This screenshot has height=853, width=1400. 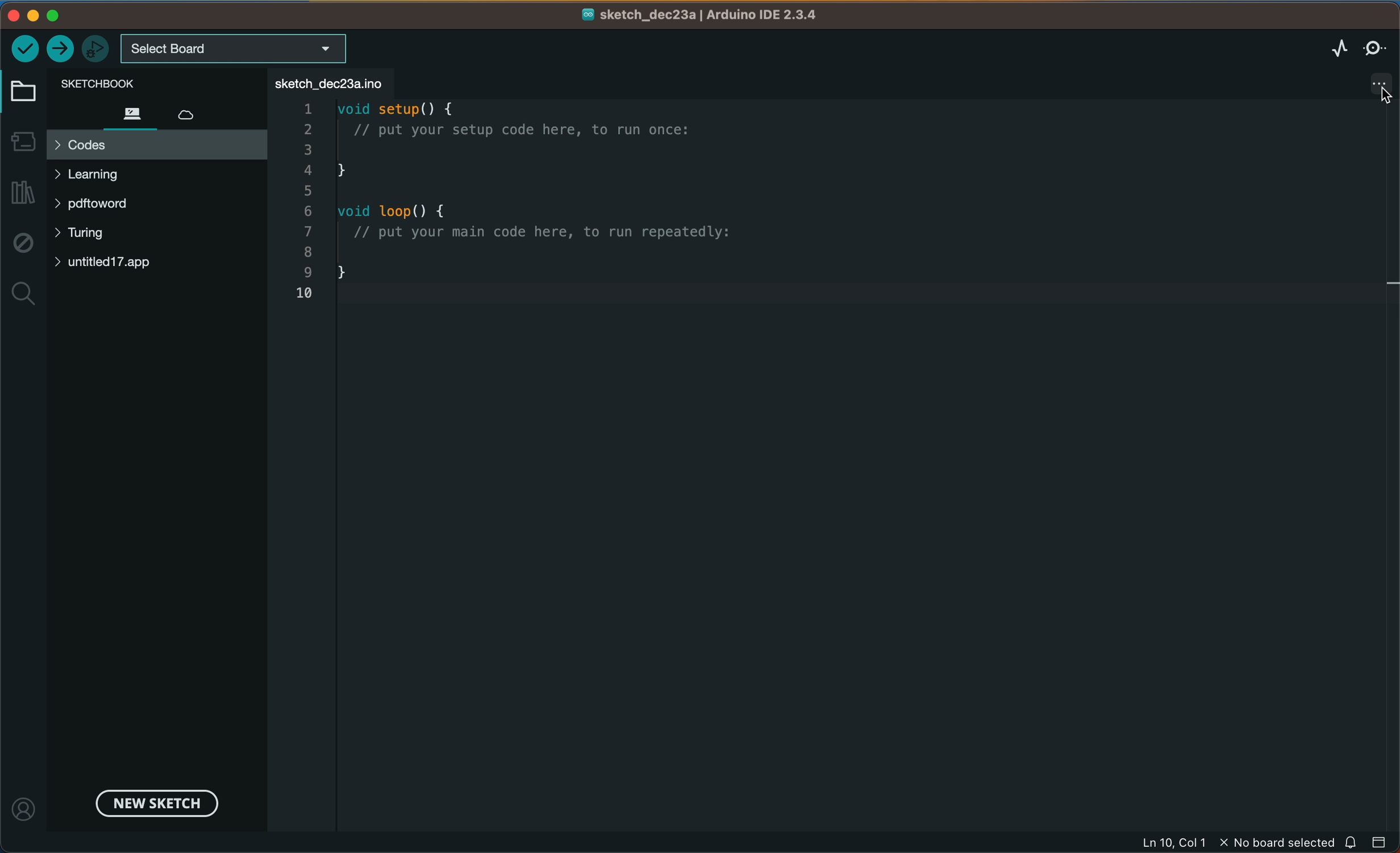 What do you see at coordinates (26, 803) in the screenshot?
I see `profile` at bounding box center [26, 803].